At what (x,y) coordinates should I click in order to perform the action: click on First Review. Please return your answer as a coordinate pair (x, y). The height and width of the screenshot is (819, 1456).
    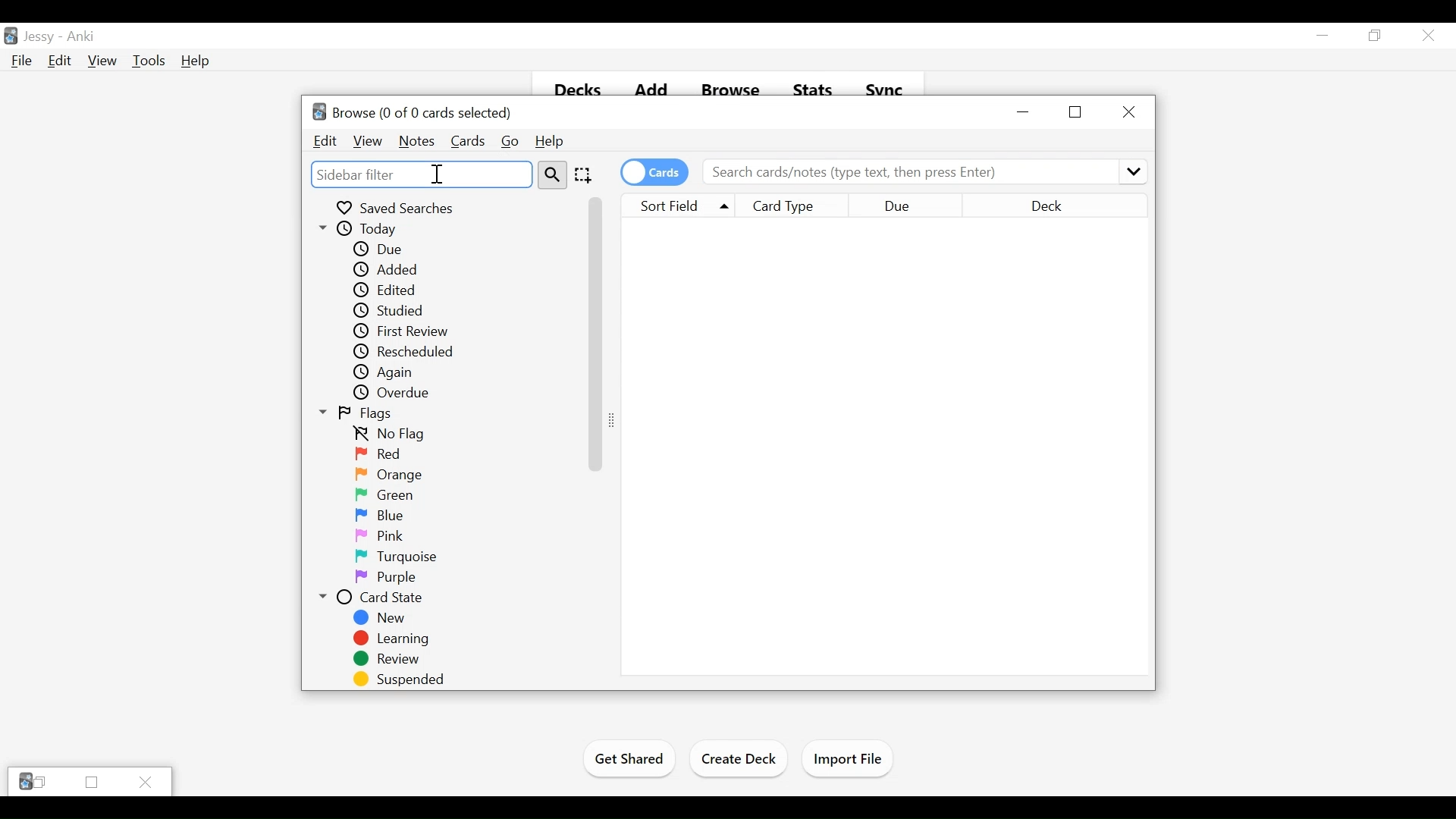
    Looking at the image, I should click on (403, 331).